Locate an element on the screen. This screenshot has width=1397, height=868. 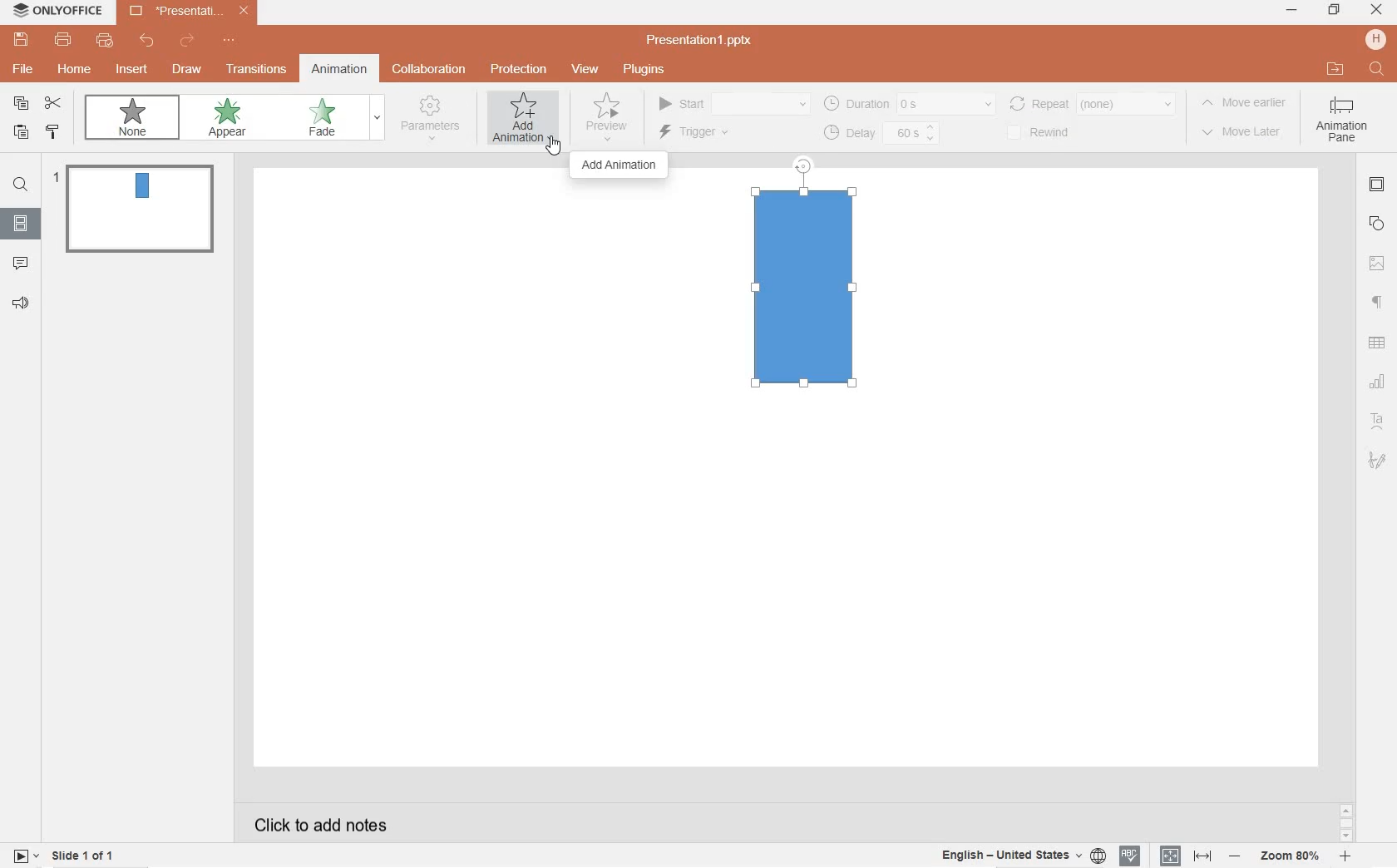
English - United States is located at coordinates (1021, 856).